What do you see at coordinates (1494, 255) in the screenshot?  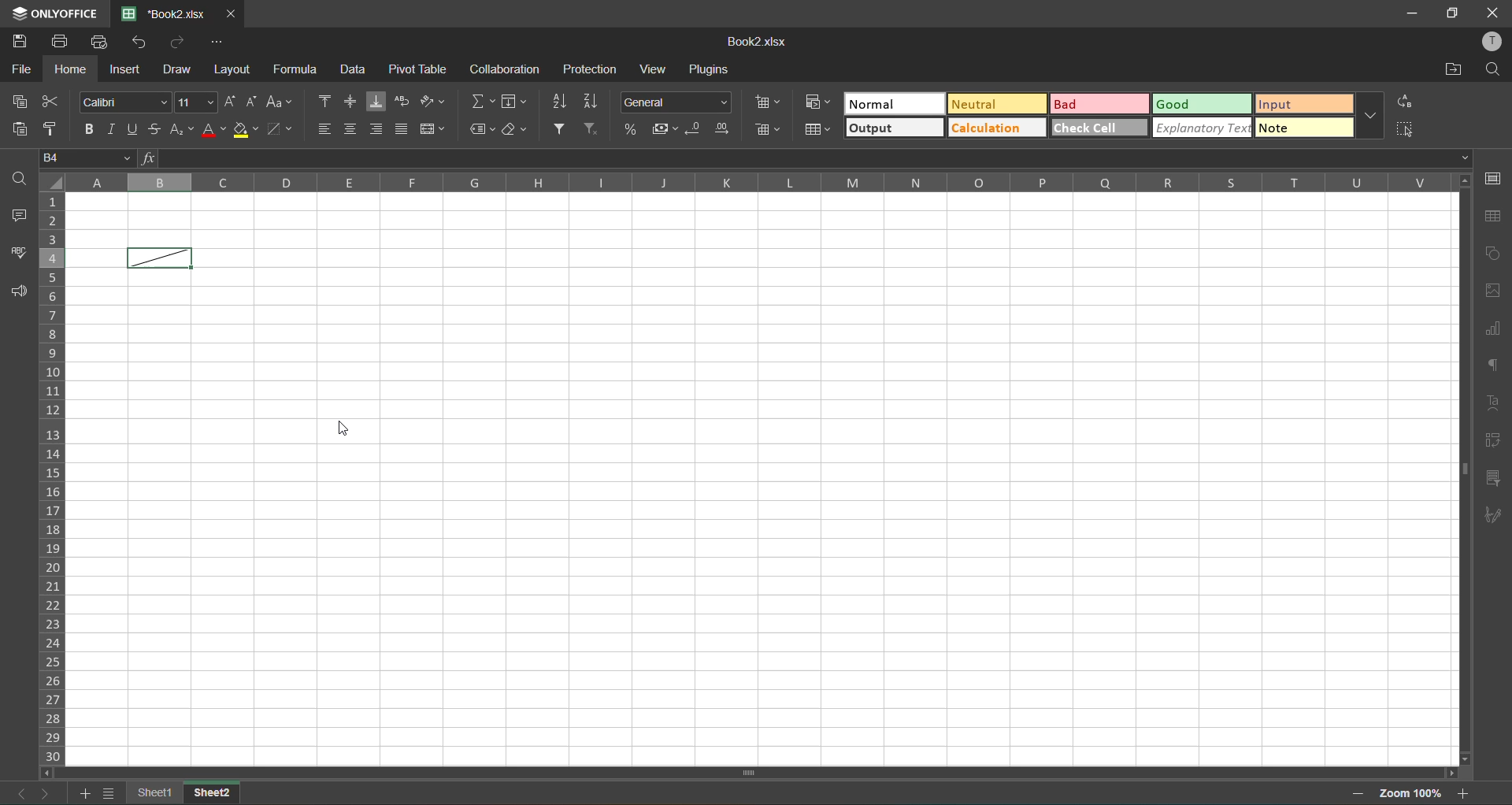 I see `shapes` at bounding box center [1494, 255].